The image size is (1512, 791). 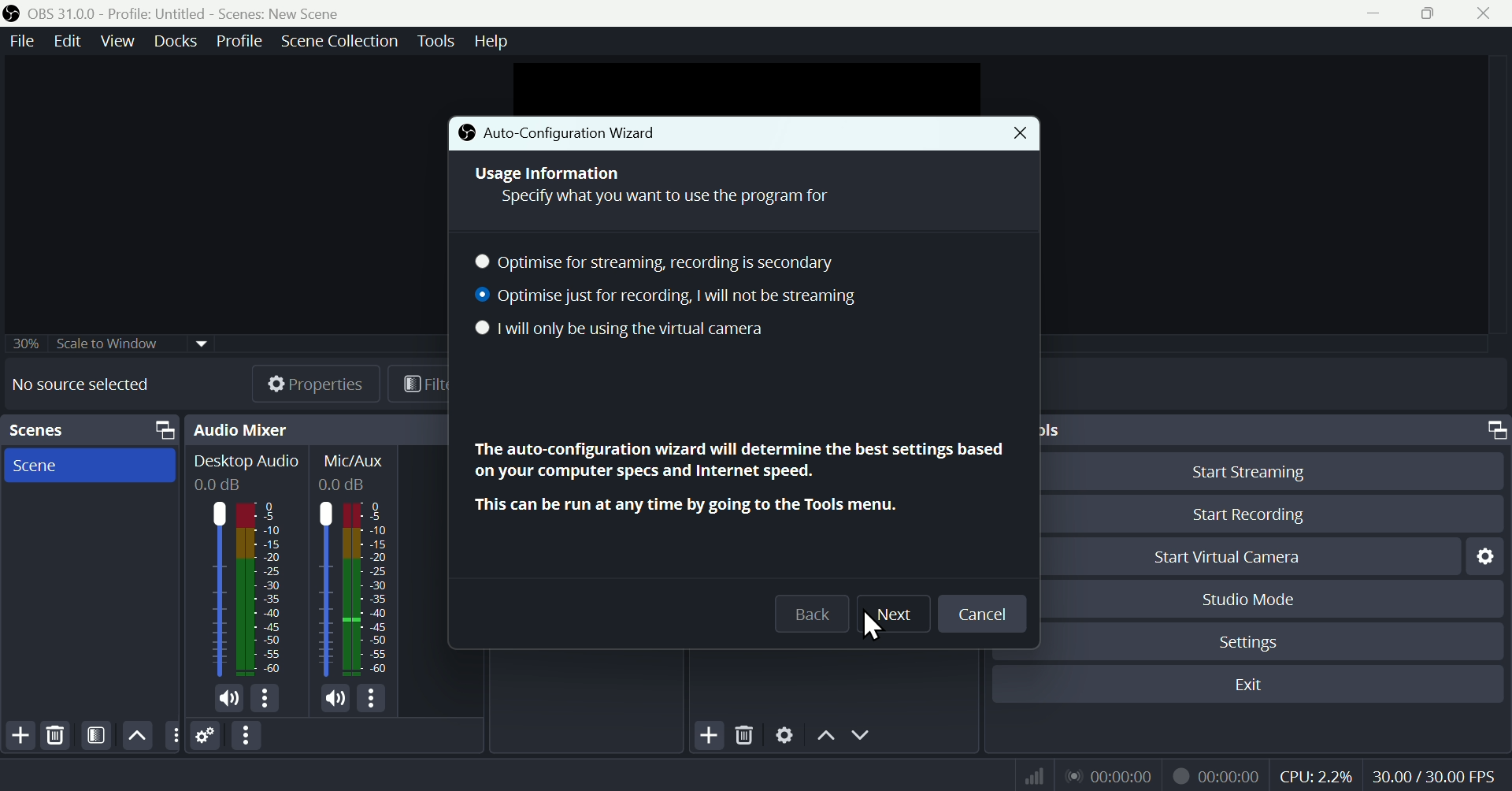 What do you see at coordinates (665, 262) in the screenshot?
I see `© Optimise for streaming, recording is secondary` at bounding box center [665, 262].